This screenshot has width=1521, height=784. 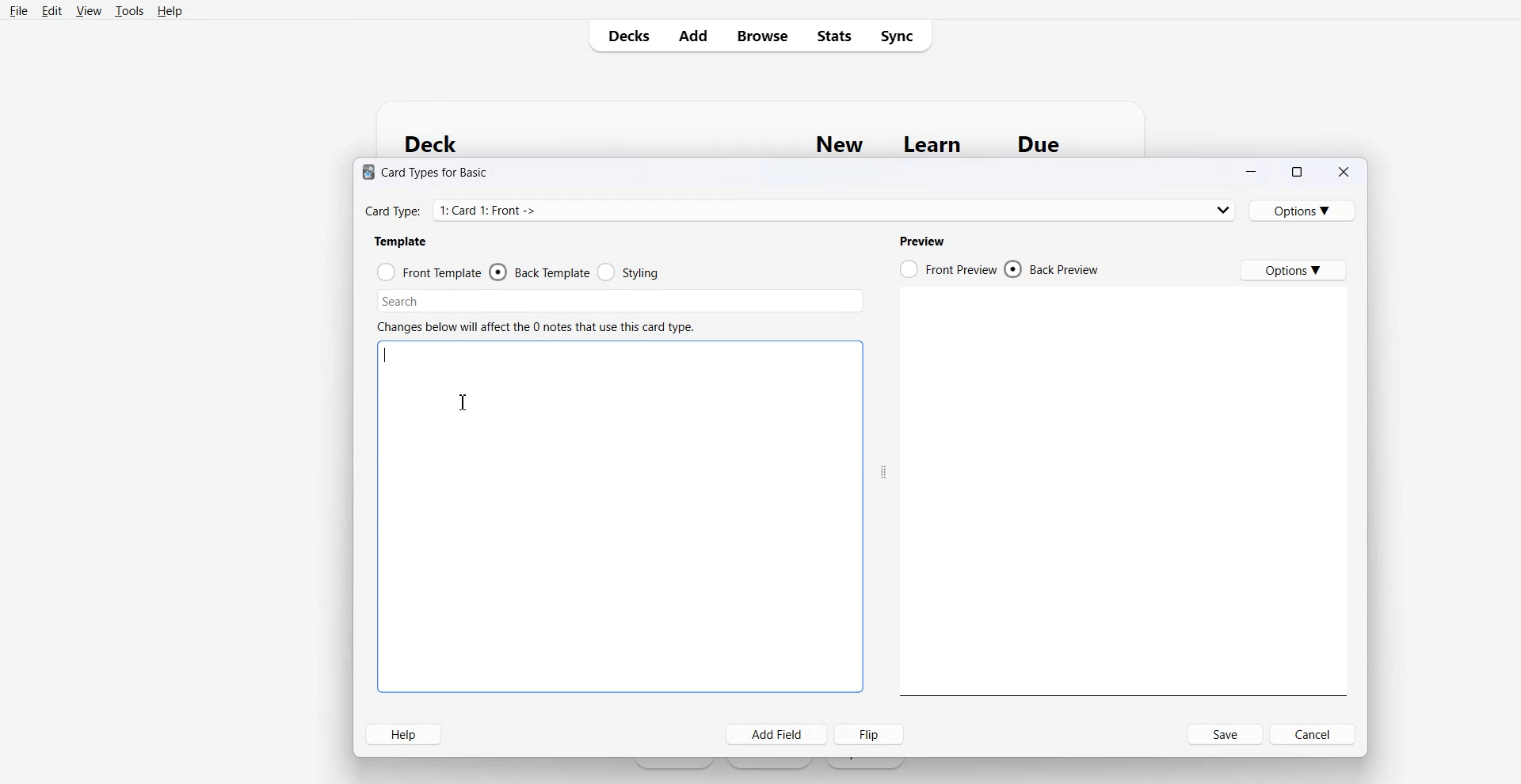 I want to click on Search bar, so click(x=540, y=298).